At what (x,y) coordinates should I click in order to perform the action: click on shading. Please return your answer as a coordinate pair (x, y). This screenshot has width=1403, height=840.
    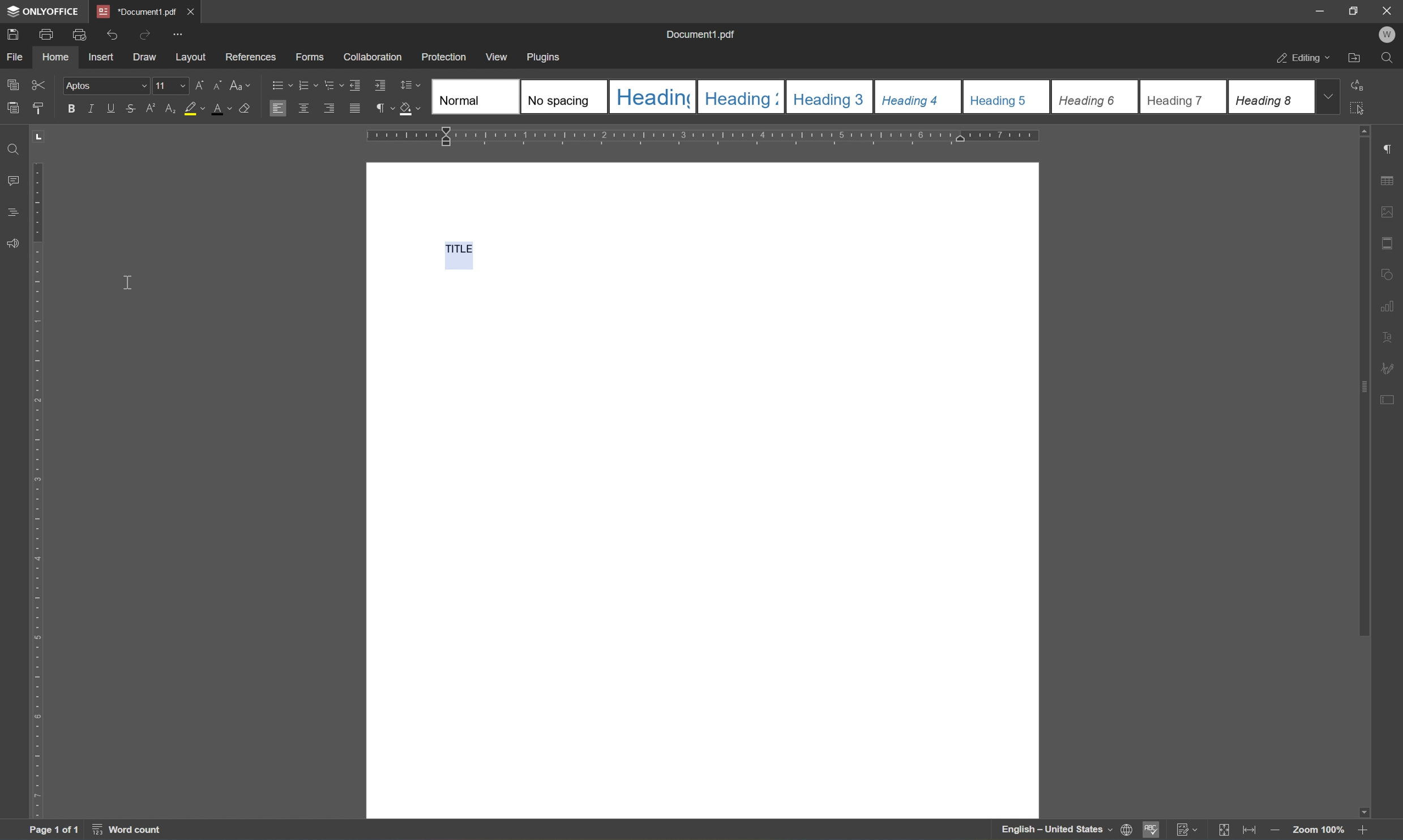
    Looking at the image, I should click on (412, 109).